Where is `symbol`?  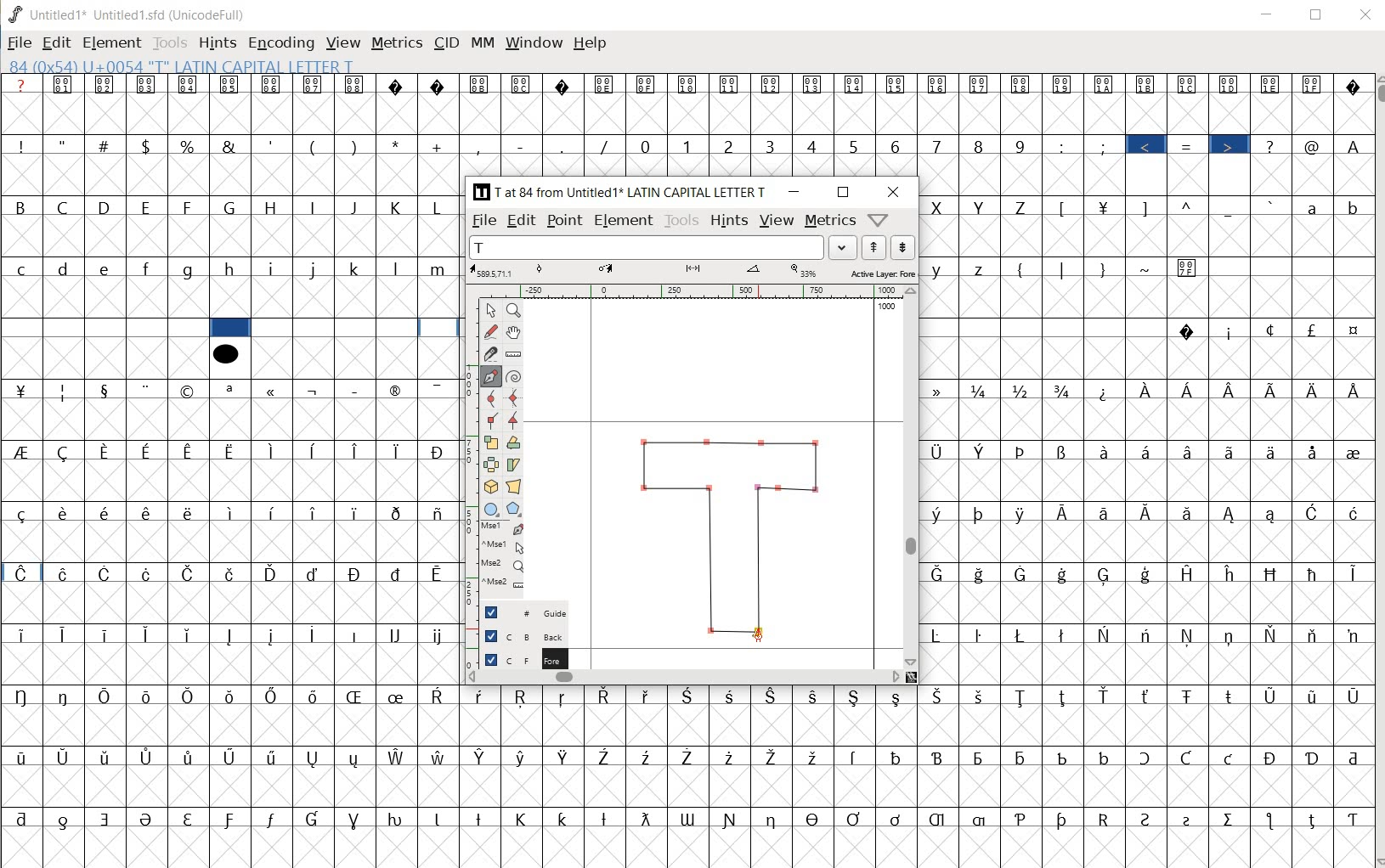 symbol is located at coordinates (225, 352).